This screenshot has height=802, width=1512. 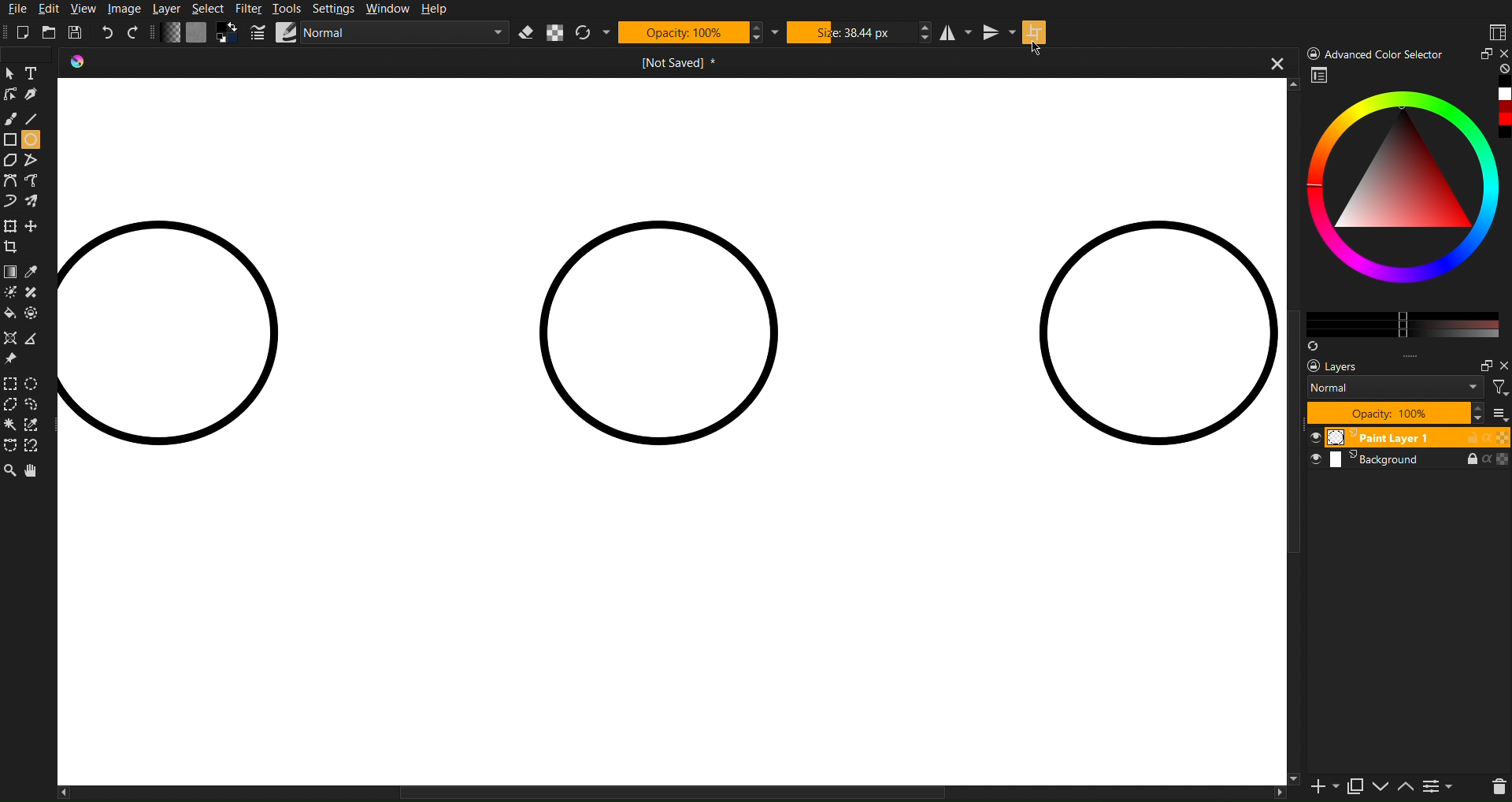 What do you see at coordinates (290, 7) in the screenshot?
I see `Tools` at bounding box center [290, 7].